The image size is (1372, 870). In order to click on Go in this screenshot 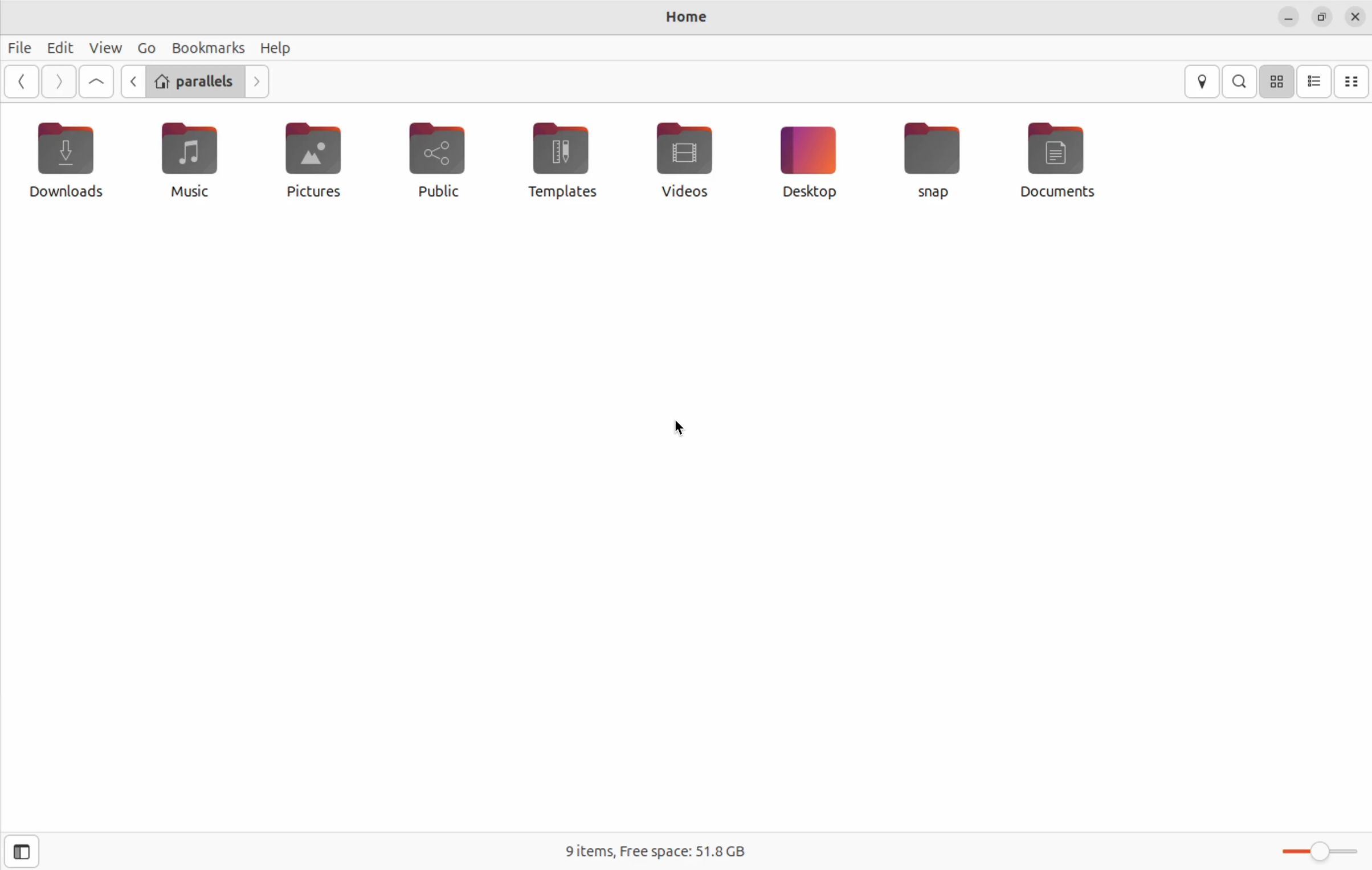, I will do `click(145, 47)`.